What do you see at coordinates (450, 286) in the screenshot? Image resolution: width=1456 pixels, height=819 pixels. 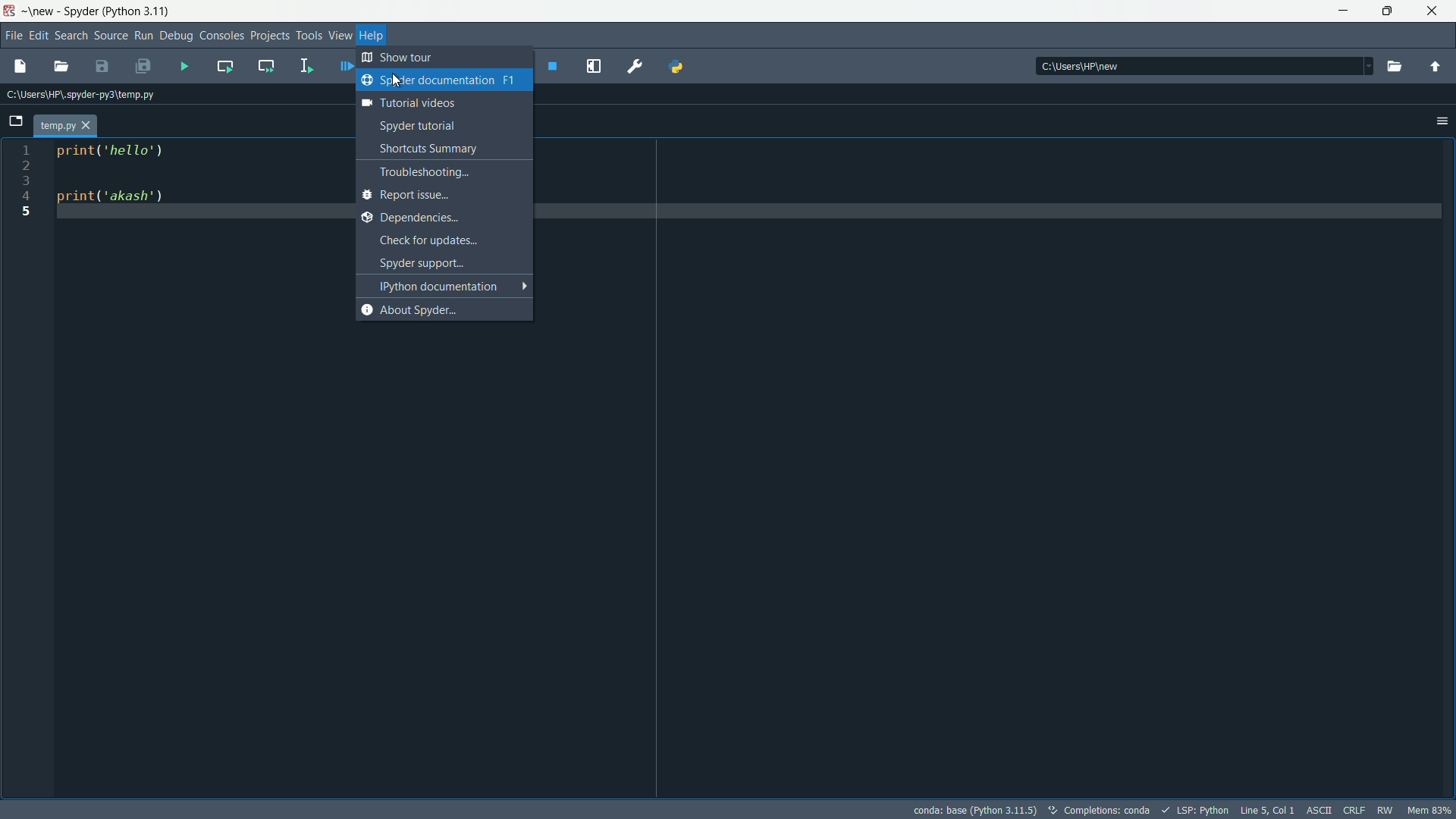 I see `ipython documentation` at bounding box center [450, 286].